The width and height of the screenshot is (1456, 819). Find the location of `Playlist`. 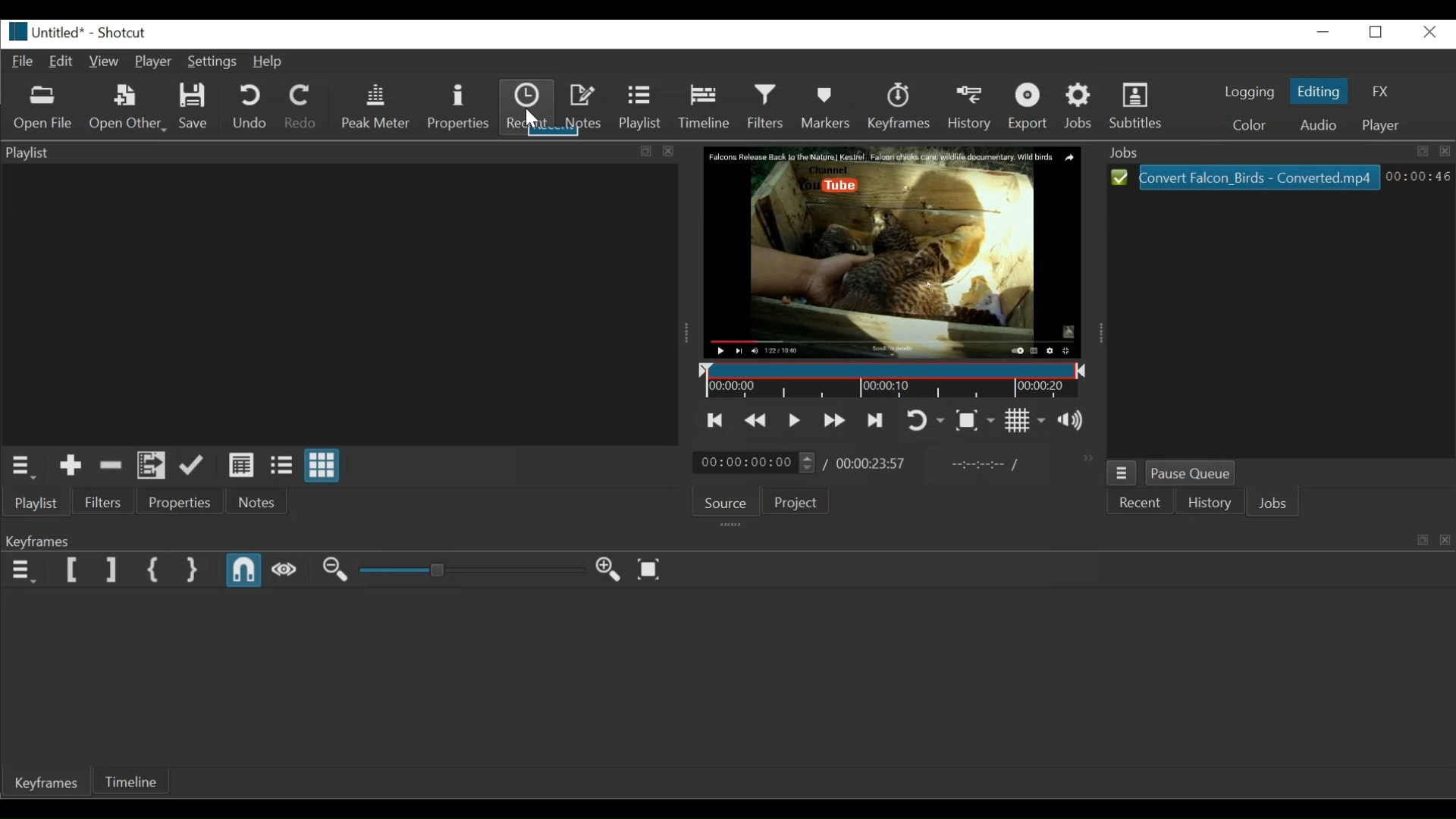

Playlist is located at coordinates (644, 105).